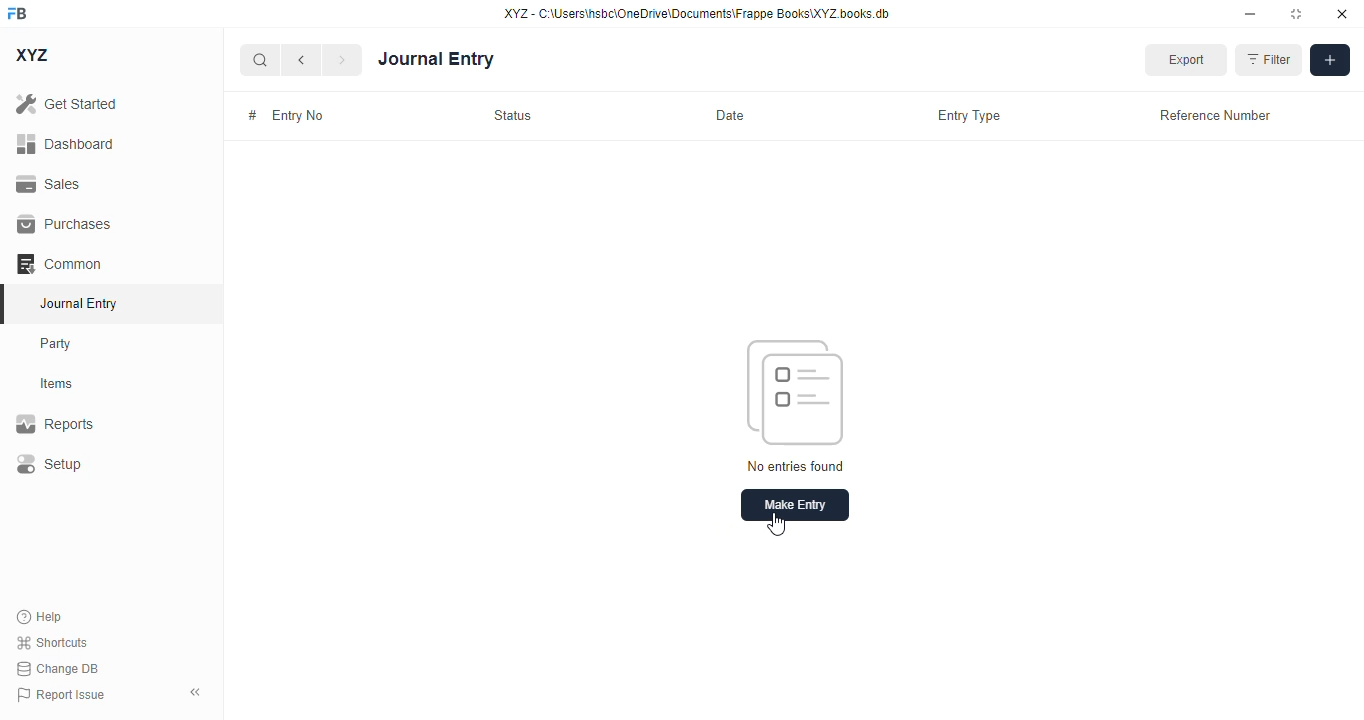 The height and width of the screenshot is (720, 1364). Describe the element at coordinates (197, 692) in the screenshot. I see `toggle sidebar` at that location.